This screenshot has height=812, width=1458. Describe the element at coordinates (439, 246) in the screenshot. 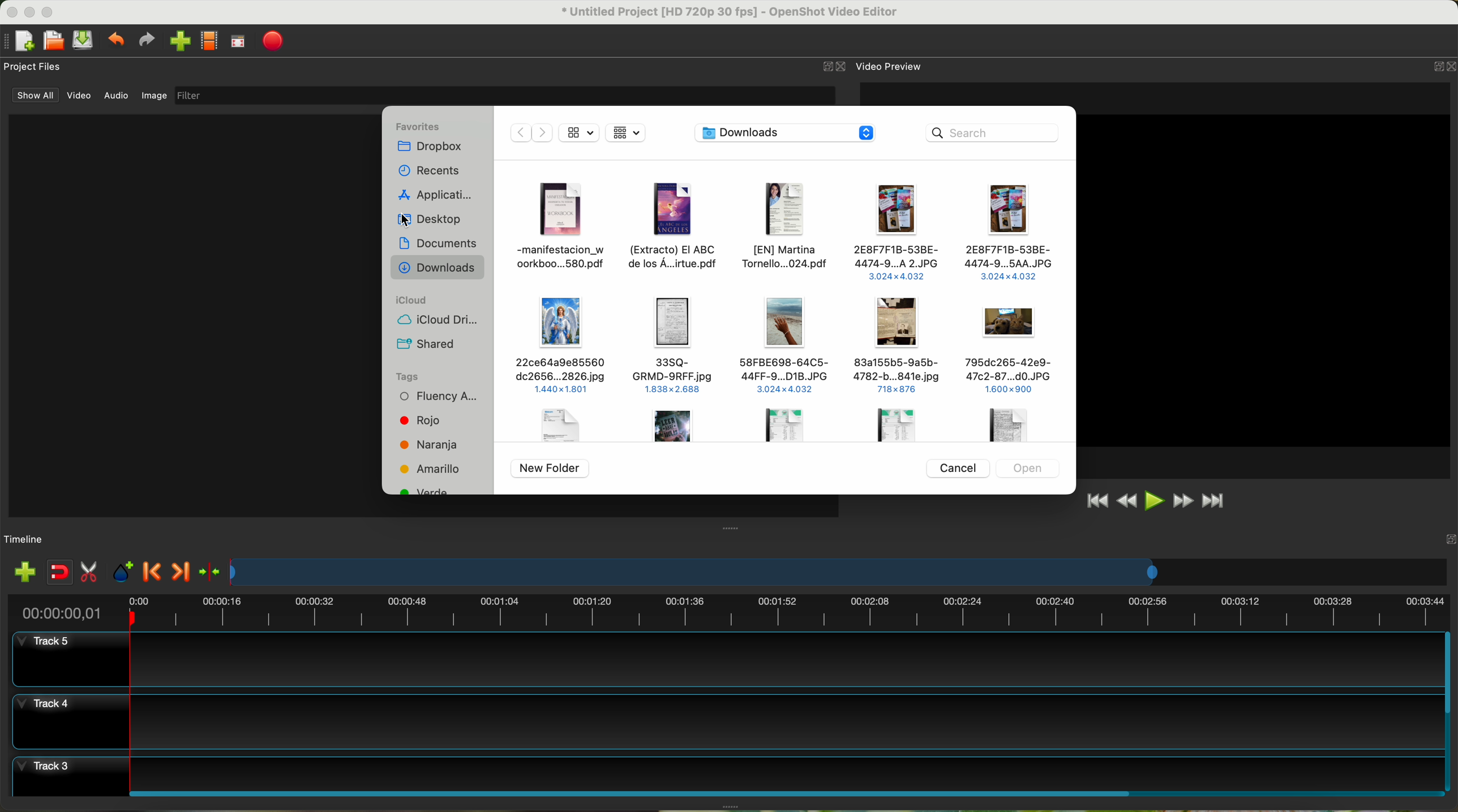

I see `documents` at that location.